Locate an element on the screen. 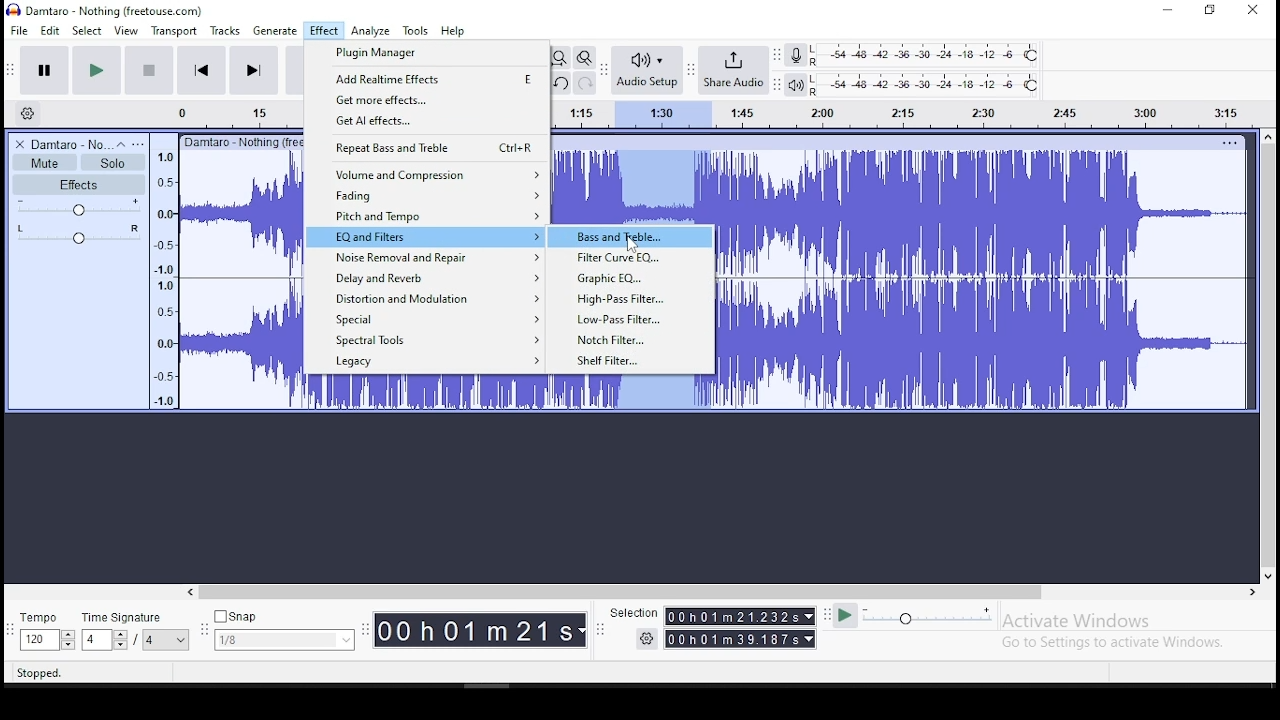  delay and reverb is located at coordinates (423, 276).